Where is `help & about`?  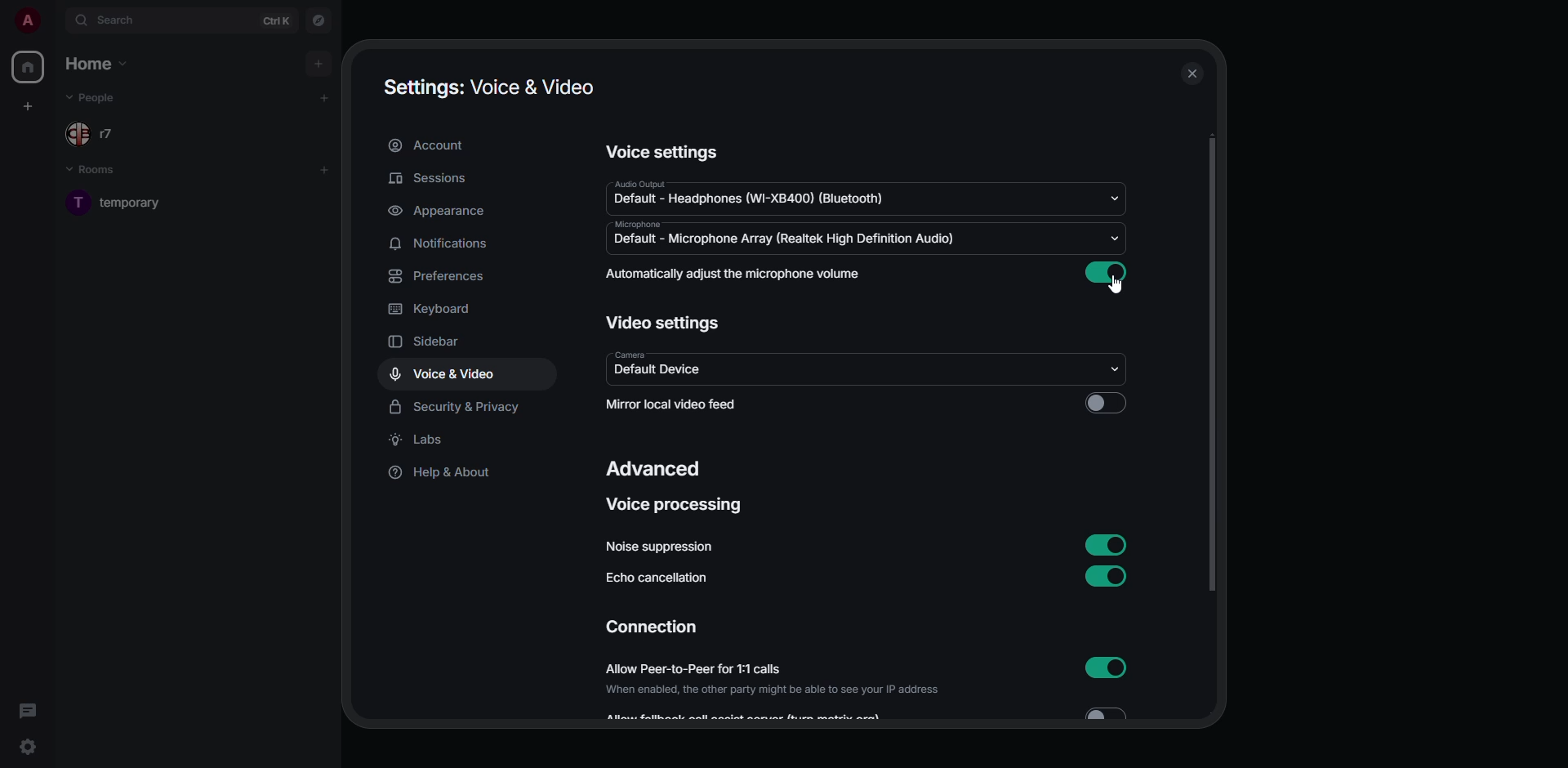 help & about is located at coordinates (443, 475).